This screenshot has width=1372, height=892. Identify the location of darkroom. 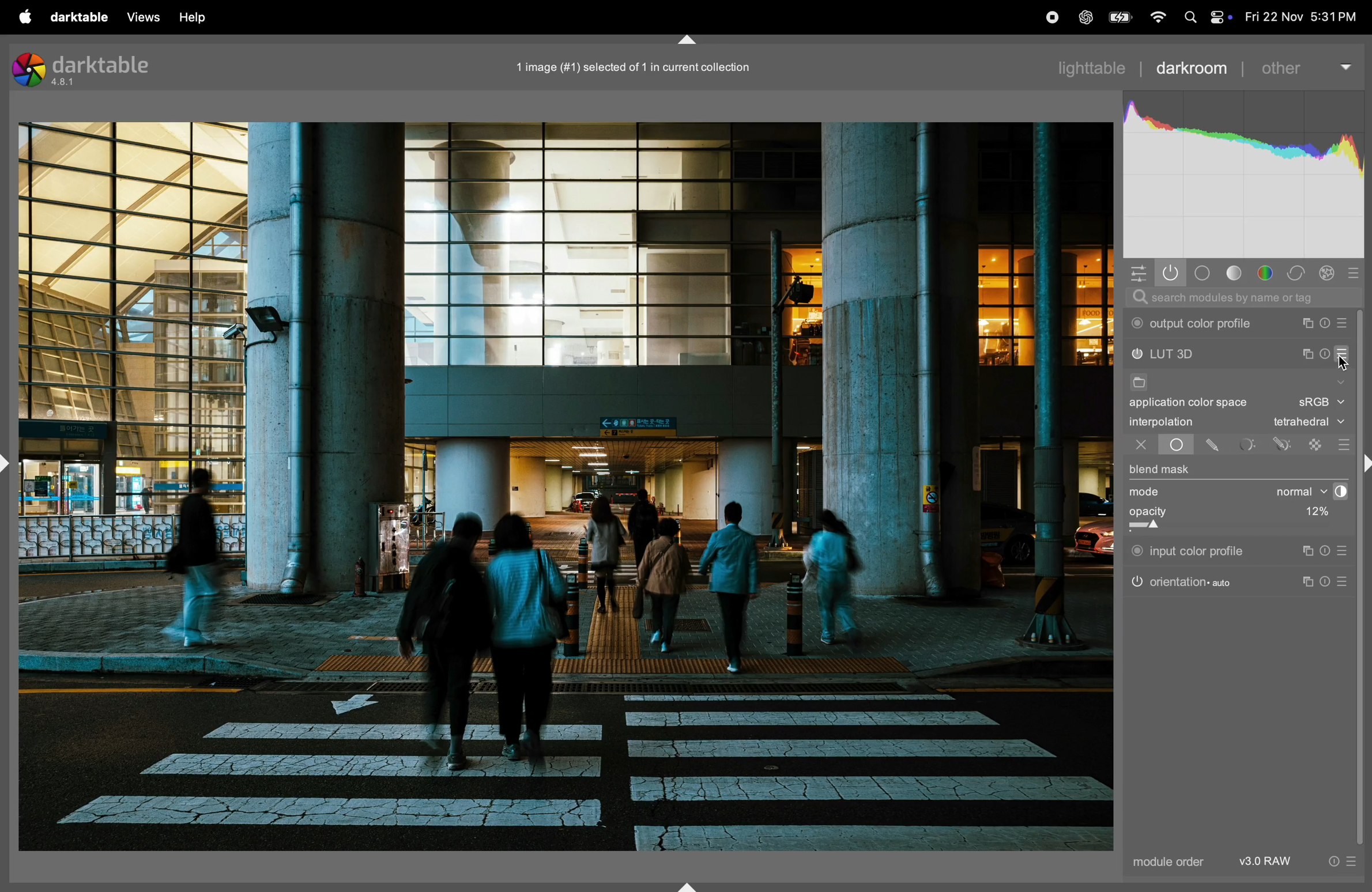
(1192, 66).